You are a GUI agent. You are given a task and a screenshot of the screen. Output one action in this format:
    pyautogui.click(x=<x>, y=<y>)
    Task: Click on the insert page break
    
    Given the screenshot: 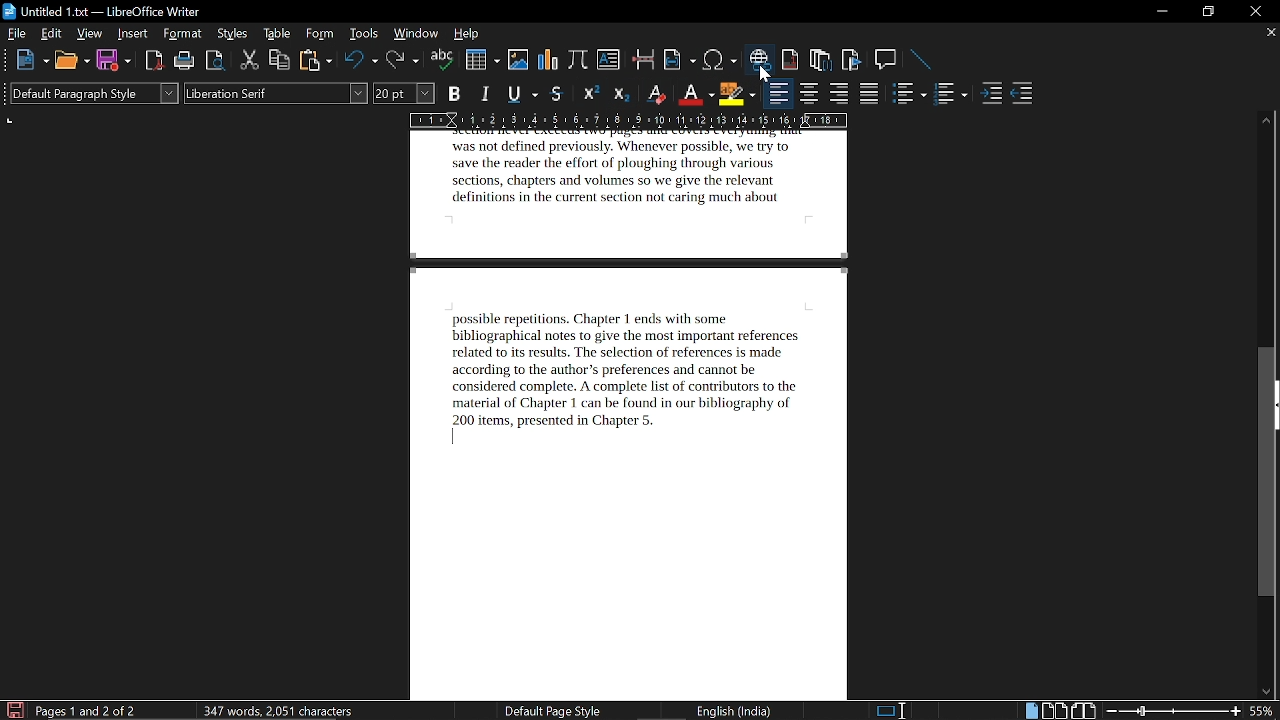 What is the action you would take?
    pyautogui.click(x=643, y=61)
    